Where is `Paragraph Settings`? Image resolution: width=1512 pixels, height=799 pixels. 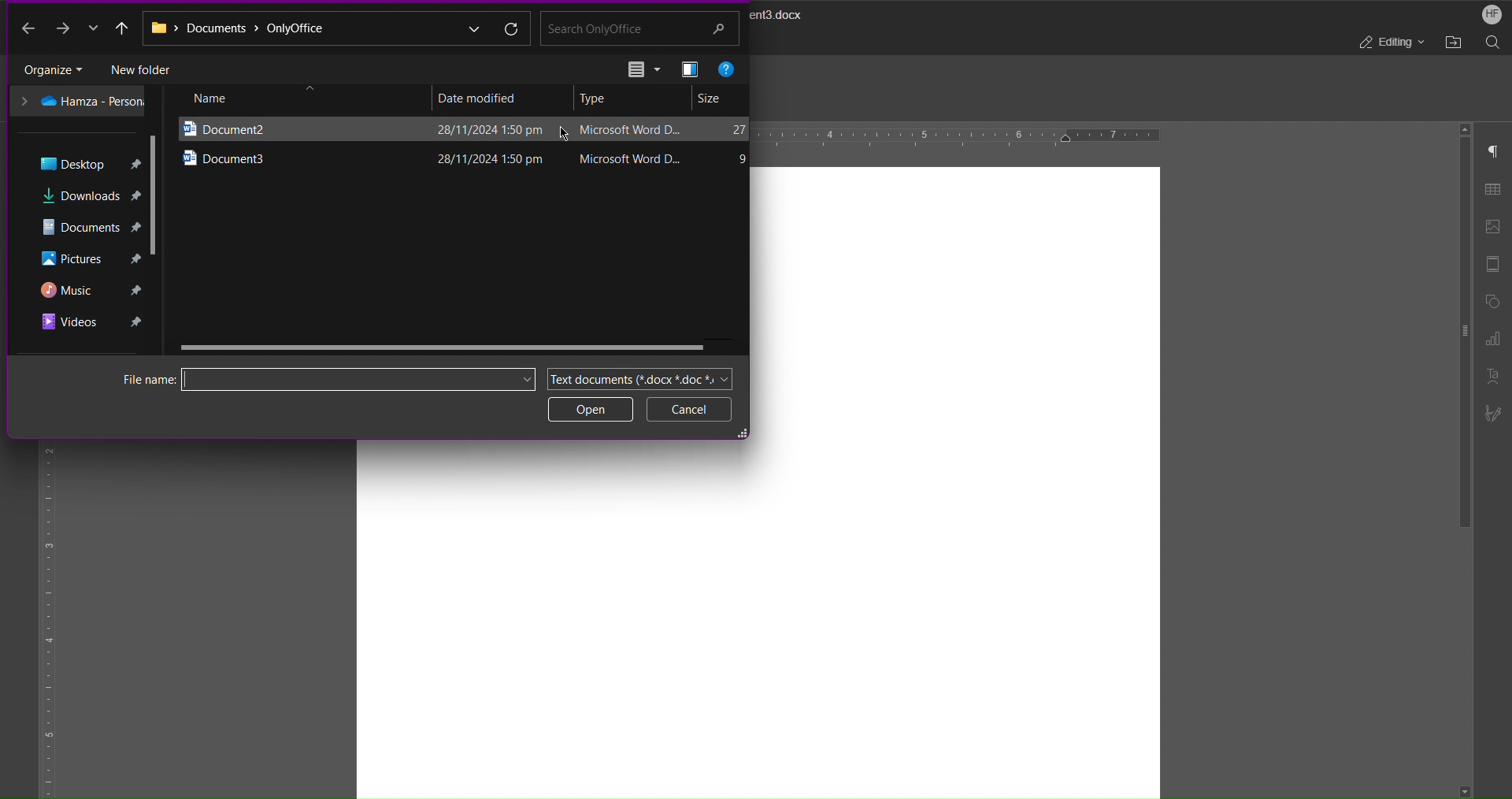
Paragraph Settings is located at coordinates (1494, 151).